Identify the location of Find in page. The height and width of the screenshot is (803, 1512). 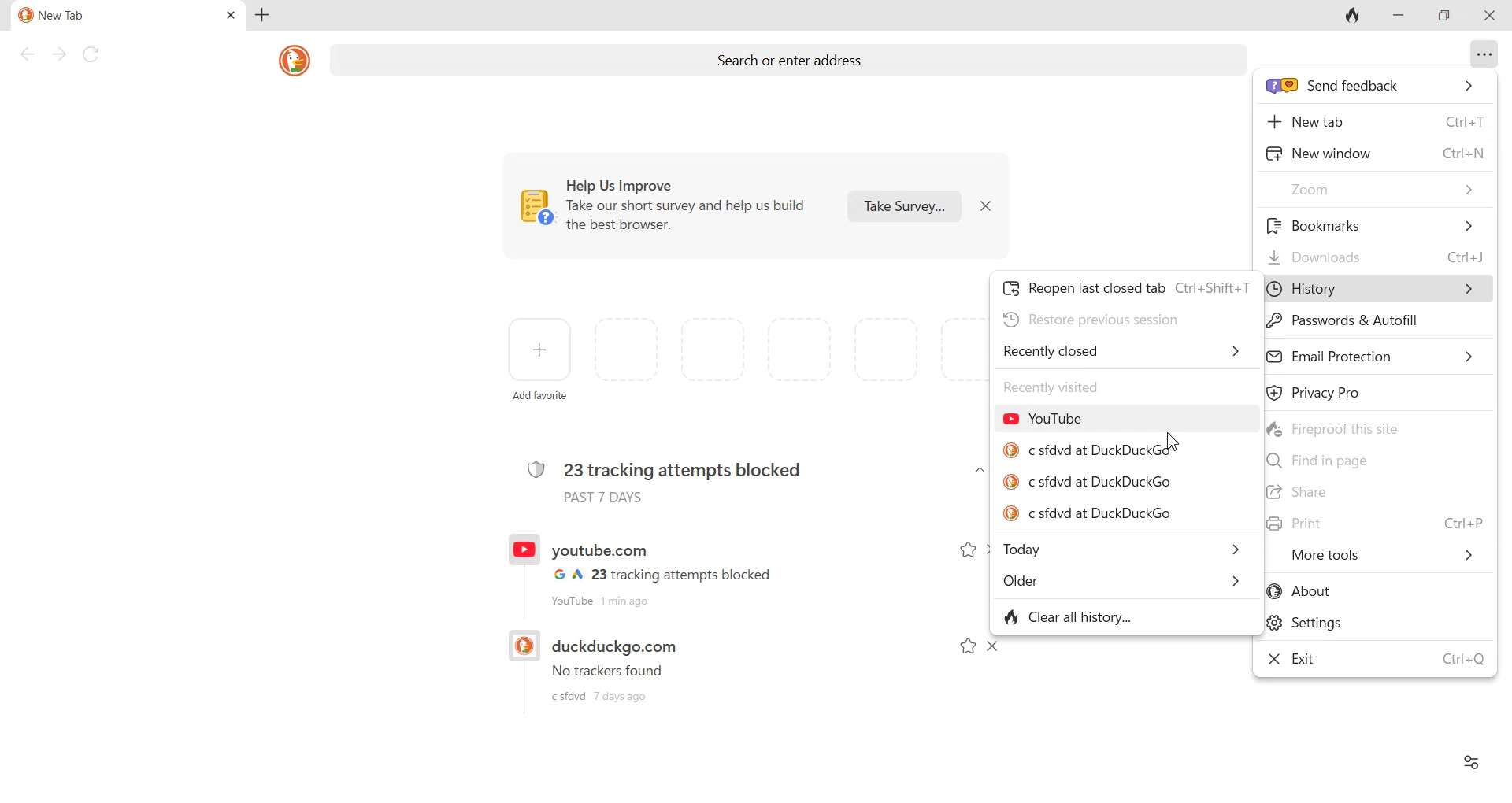
(1375, 461).